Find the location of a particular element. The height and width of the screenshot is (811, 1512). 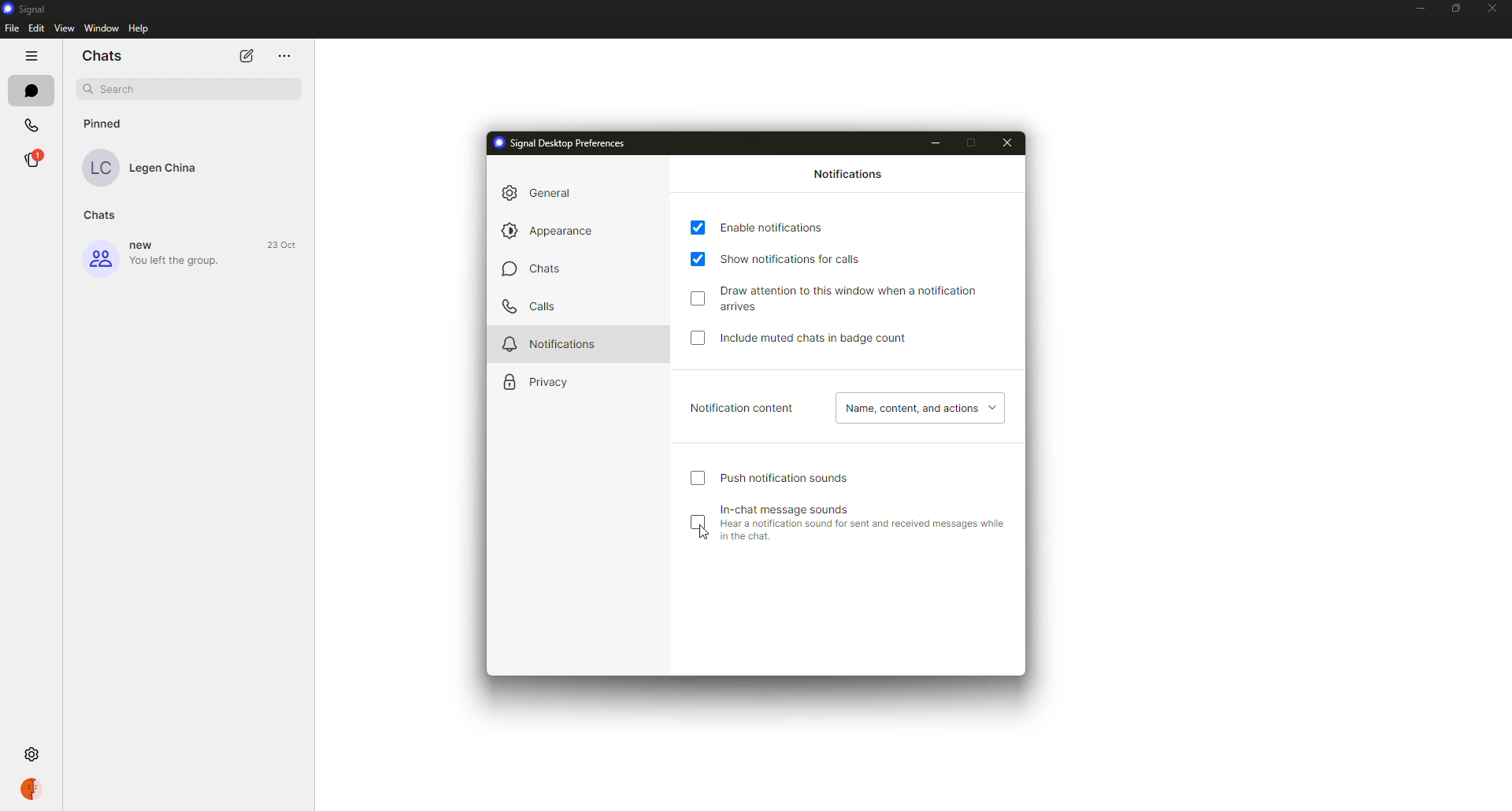

Edit is located at coordinates (37, 28).